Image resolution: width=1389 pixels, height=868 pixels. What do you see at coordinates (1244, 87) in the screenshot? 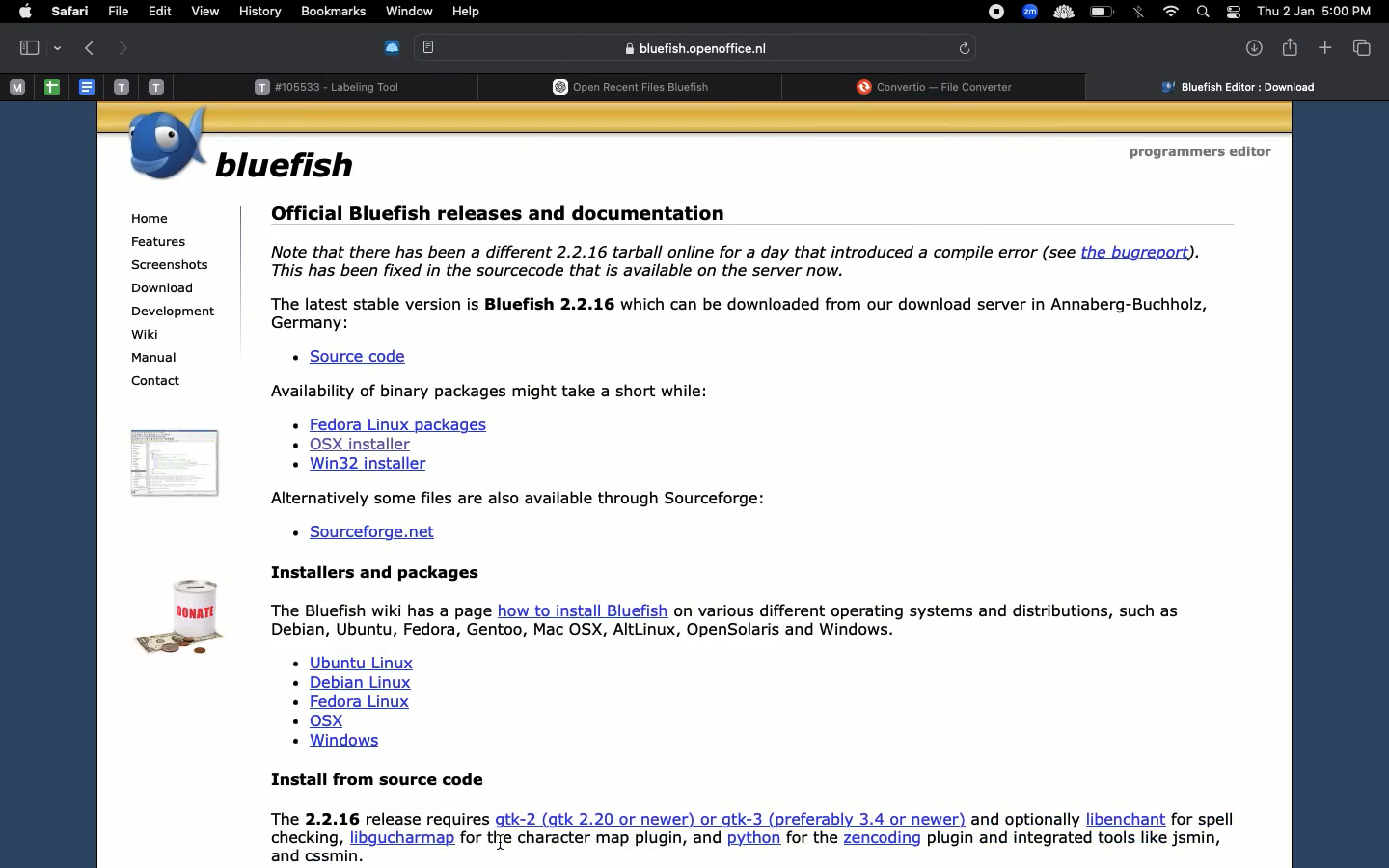
I see `bluefish editor` at bounding box center [1244, 87].